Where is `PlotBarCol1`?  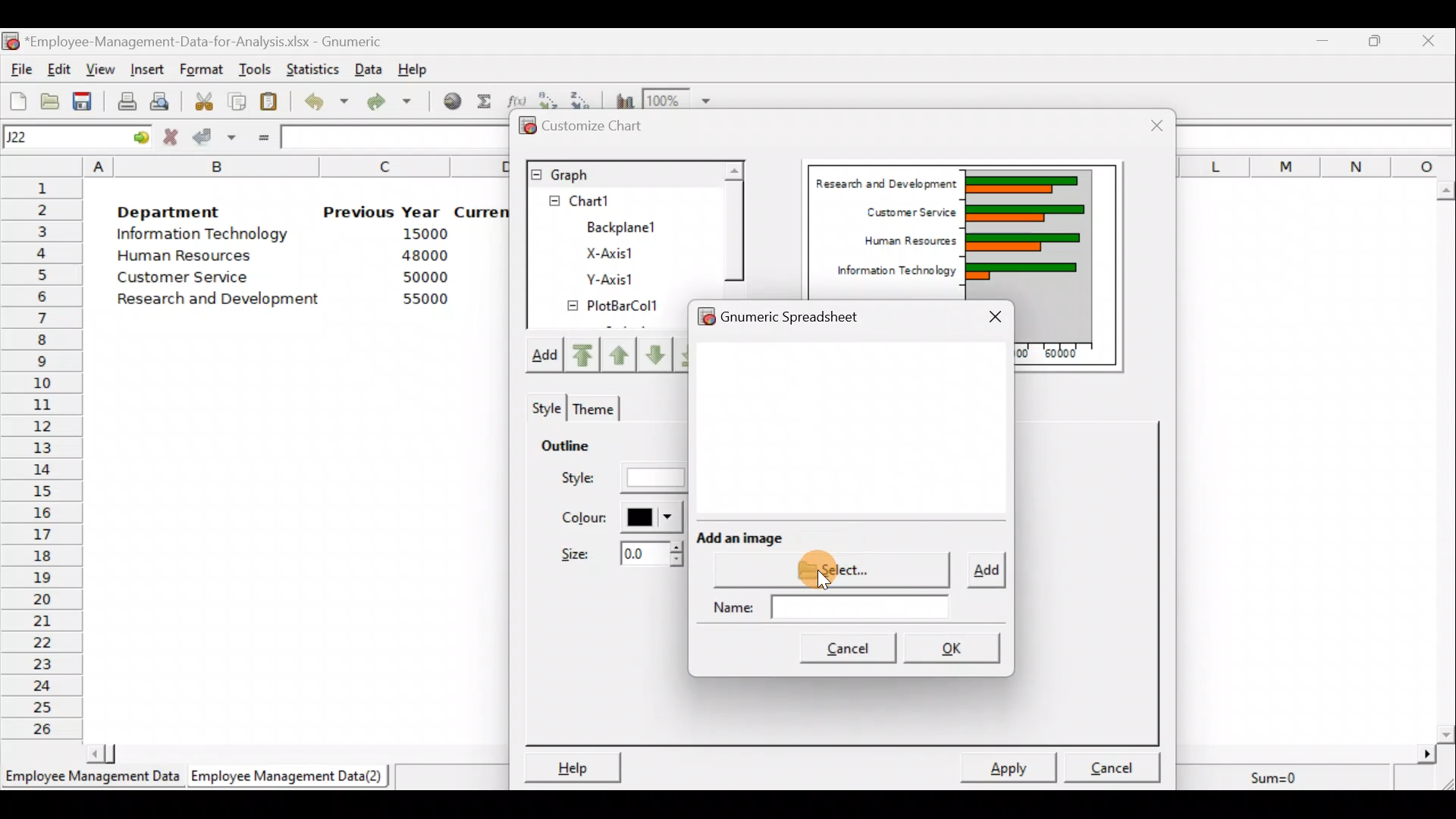 PlotBarCol1 is located at coordinates (613, 308).